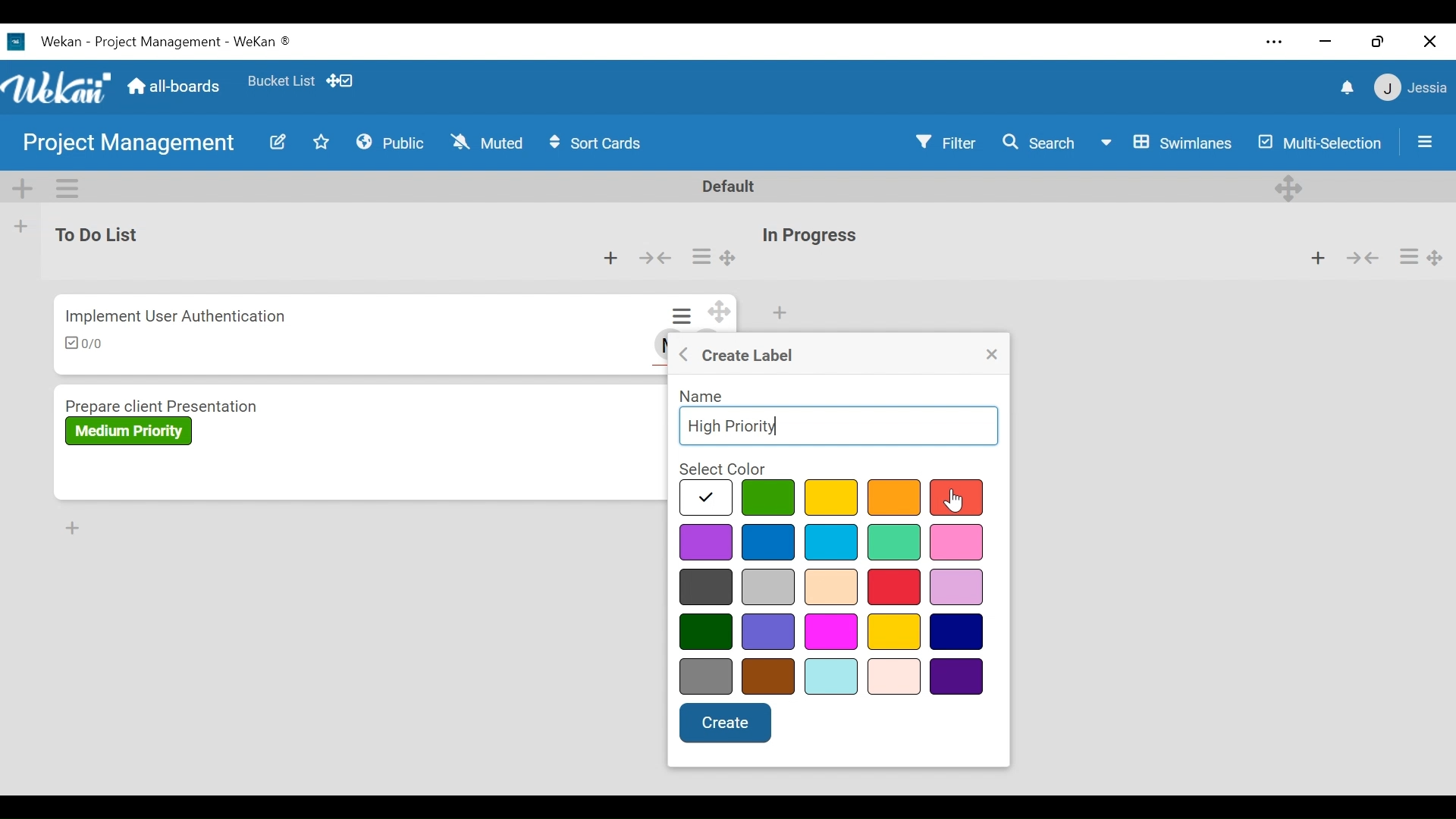 Image resolution: width=1456 pixels, height=819 pixels. What do you see at coordinates (342, 80) in the screenshot?
I see `Show desktop drag handles` at bounding box center [342, 80].